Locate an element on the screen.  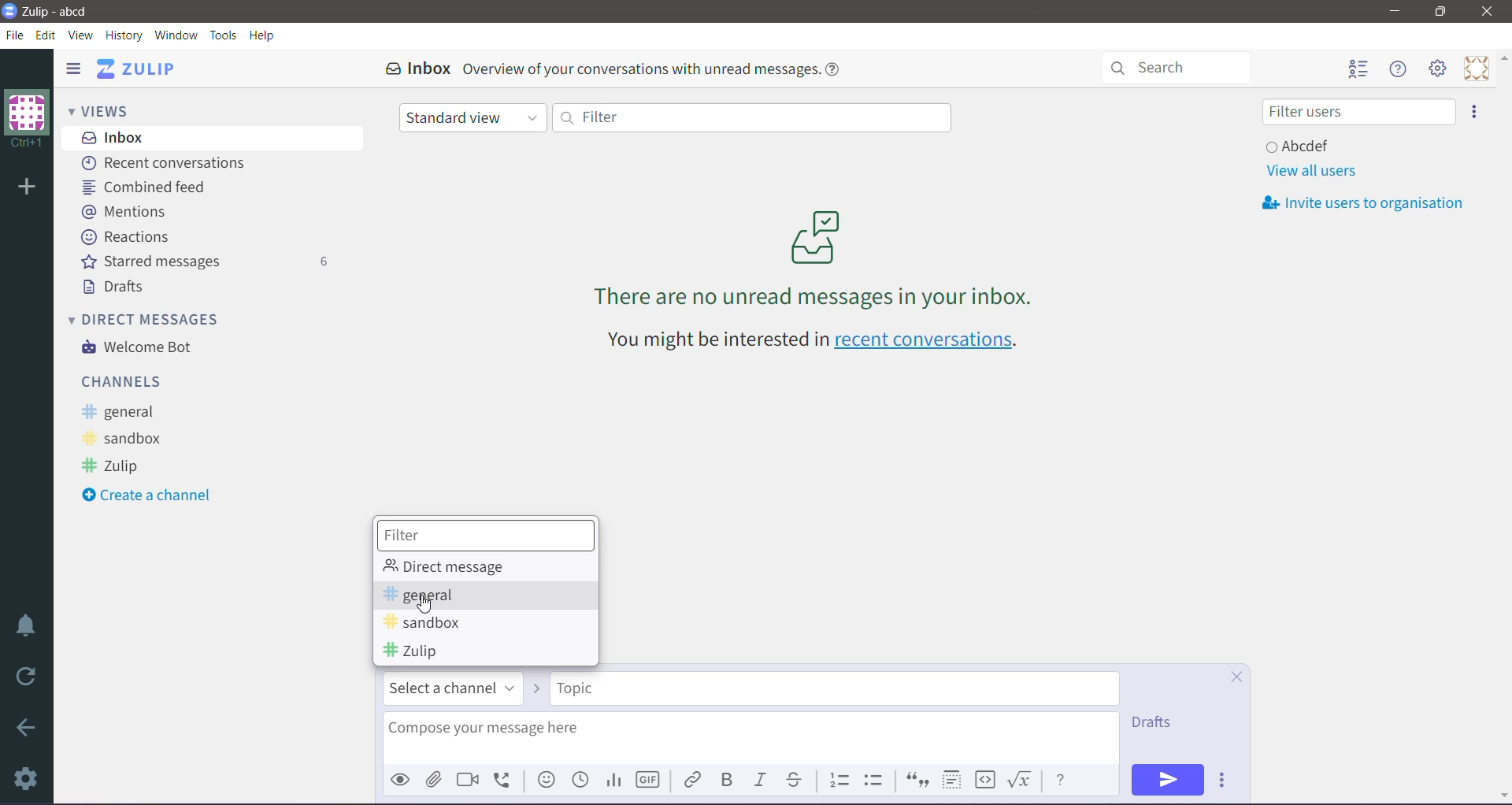
Inbox Overview of your conversations with unread messages is located at coordinates (618, 69).